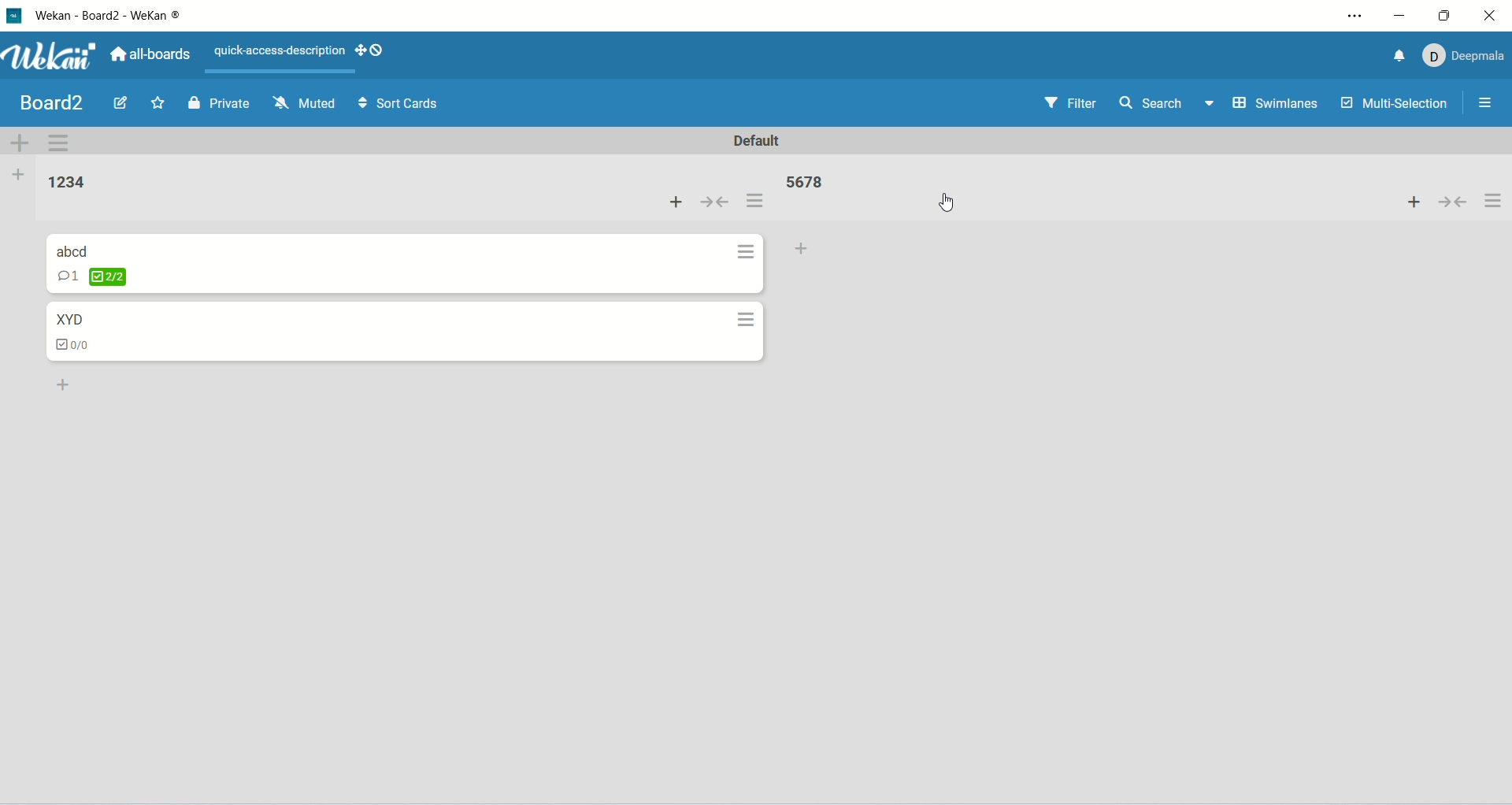 The width and height of the screenshot is (1512, 805). What do you see at coordinates (69, 318) in the screenshot?
I see `card title` at bounding box center [69, 318].